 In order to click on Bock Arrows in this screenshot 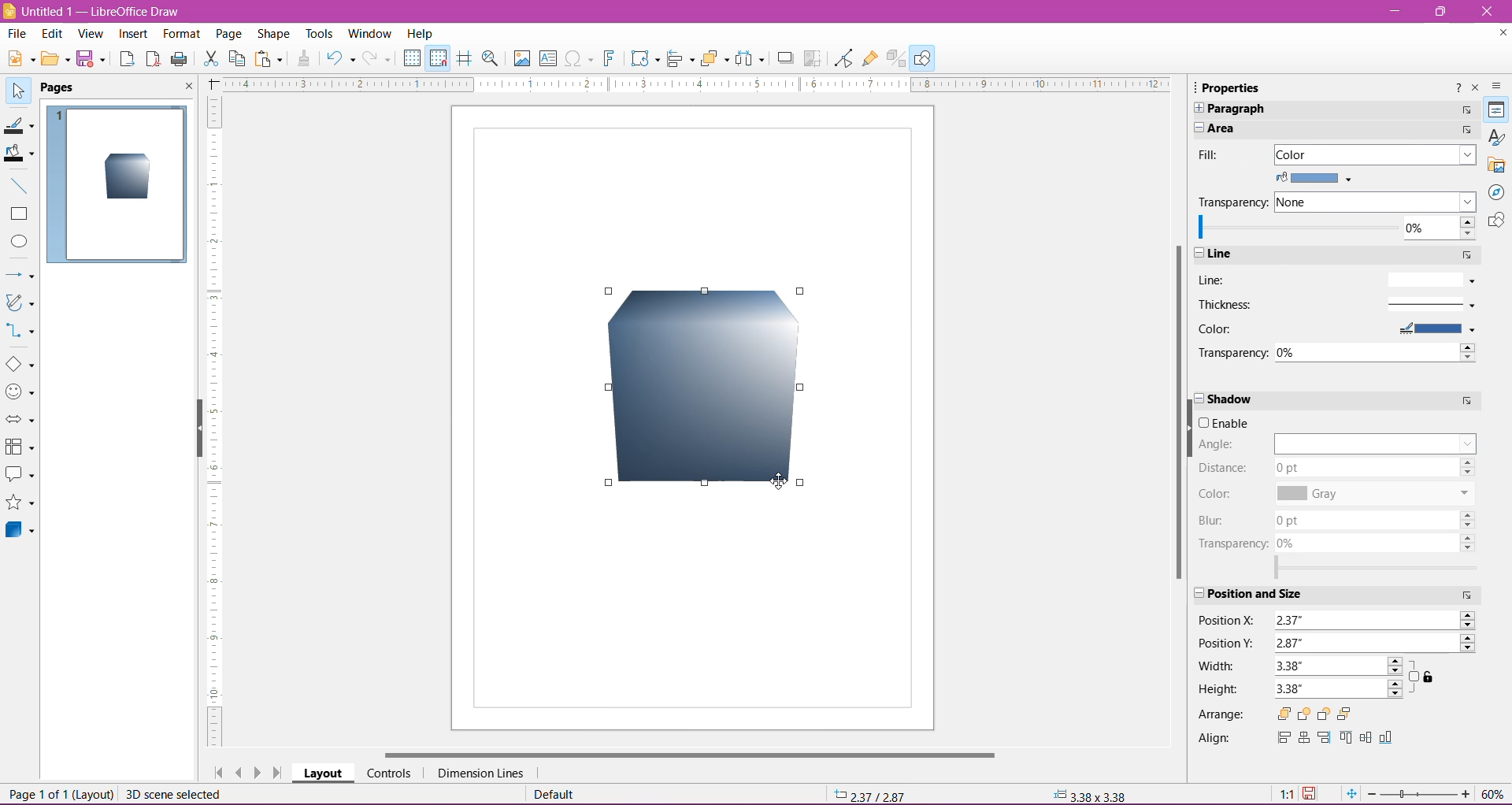, I will do `click(20, 421)`.